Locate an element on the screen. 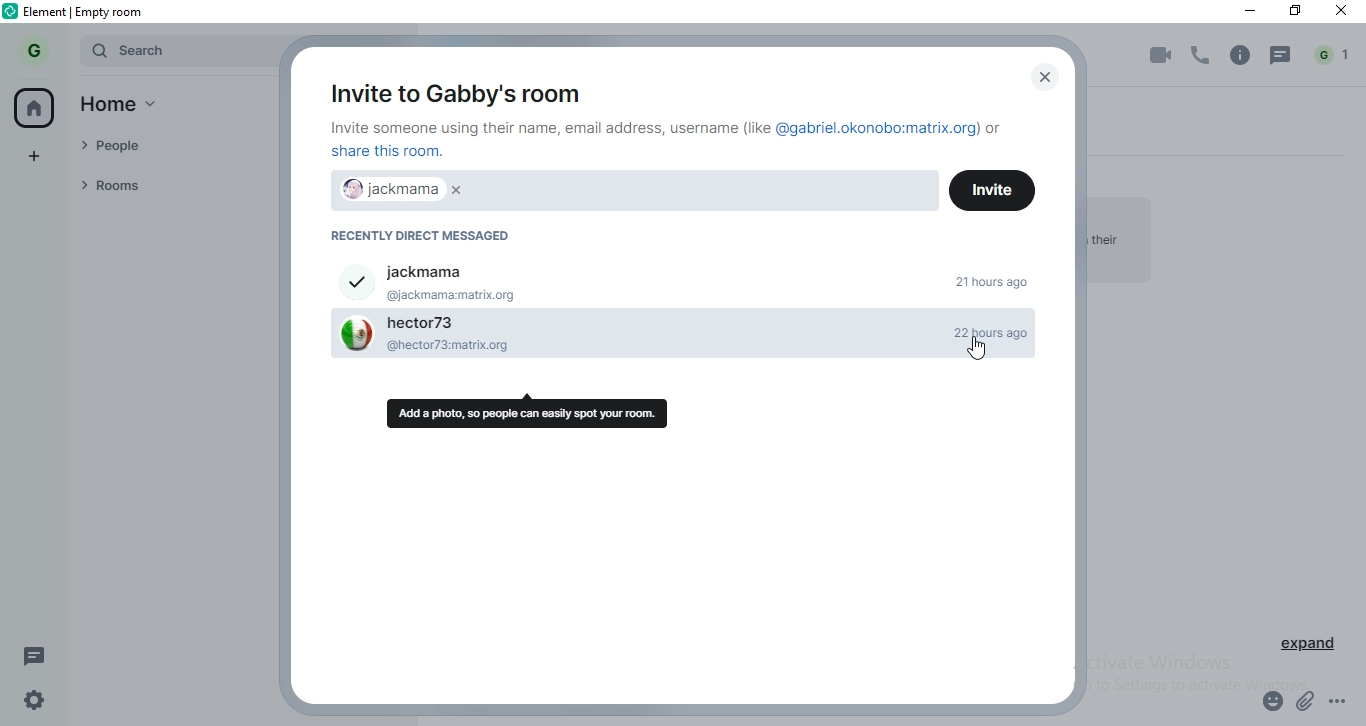 The width and height of the screenshot is (1366, 726). tooltip is located at coordinates (531, 411).